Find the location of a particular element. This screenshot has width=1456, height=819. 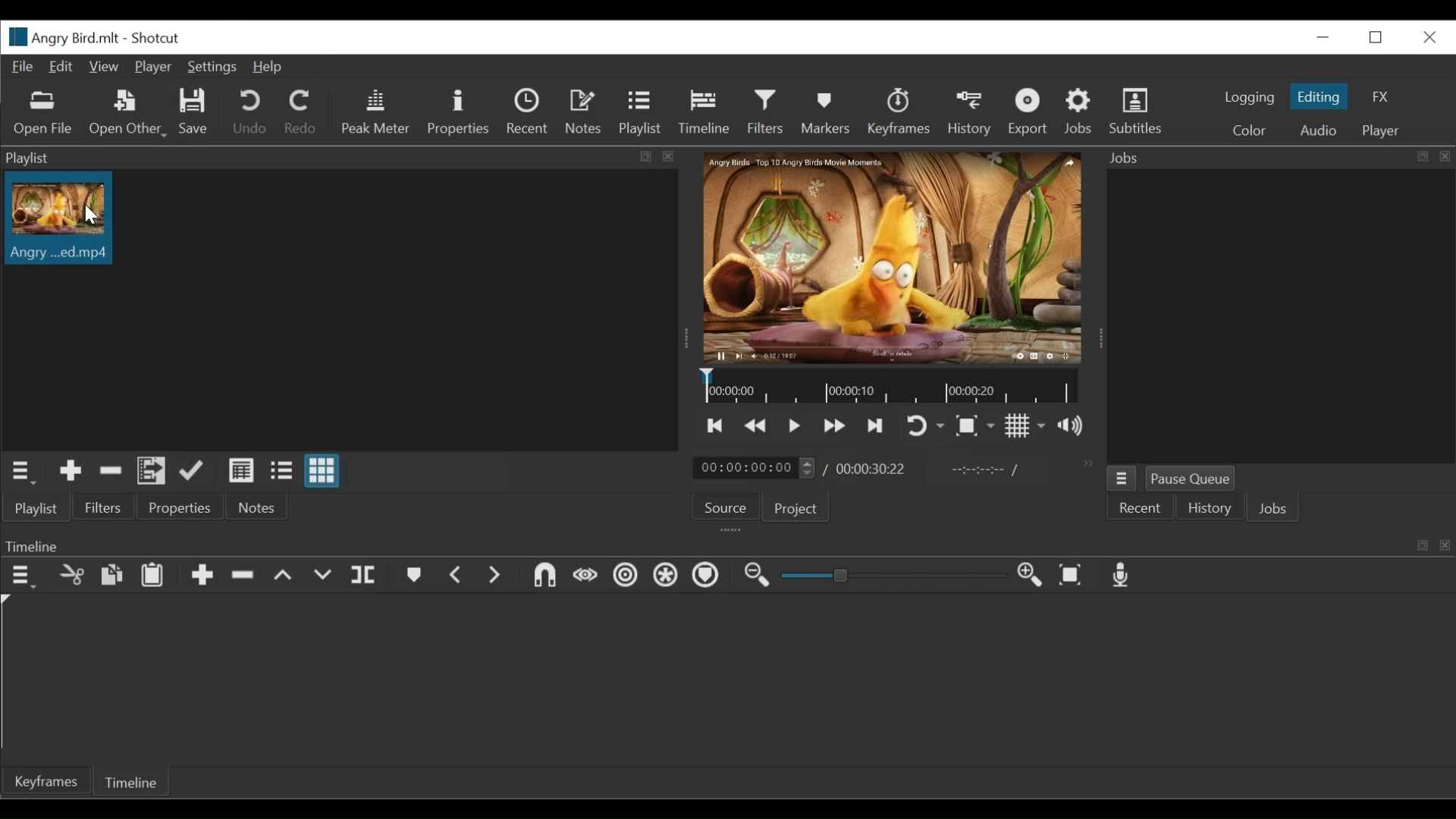

Paste is located at coordinates (111, 575).